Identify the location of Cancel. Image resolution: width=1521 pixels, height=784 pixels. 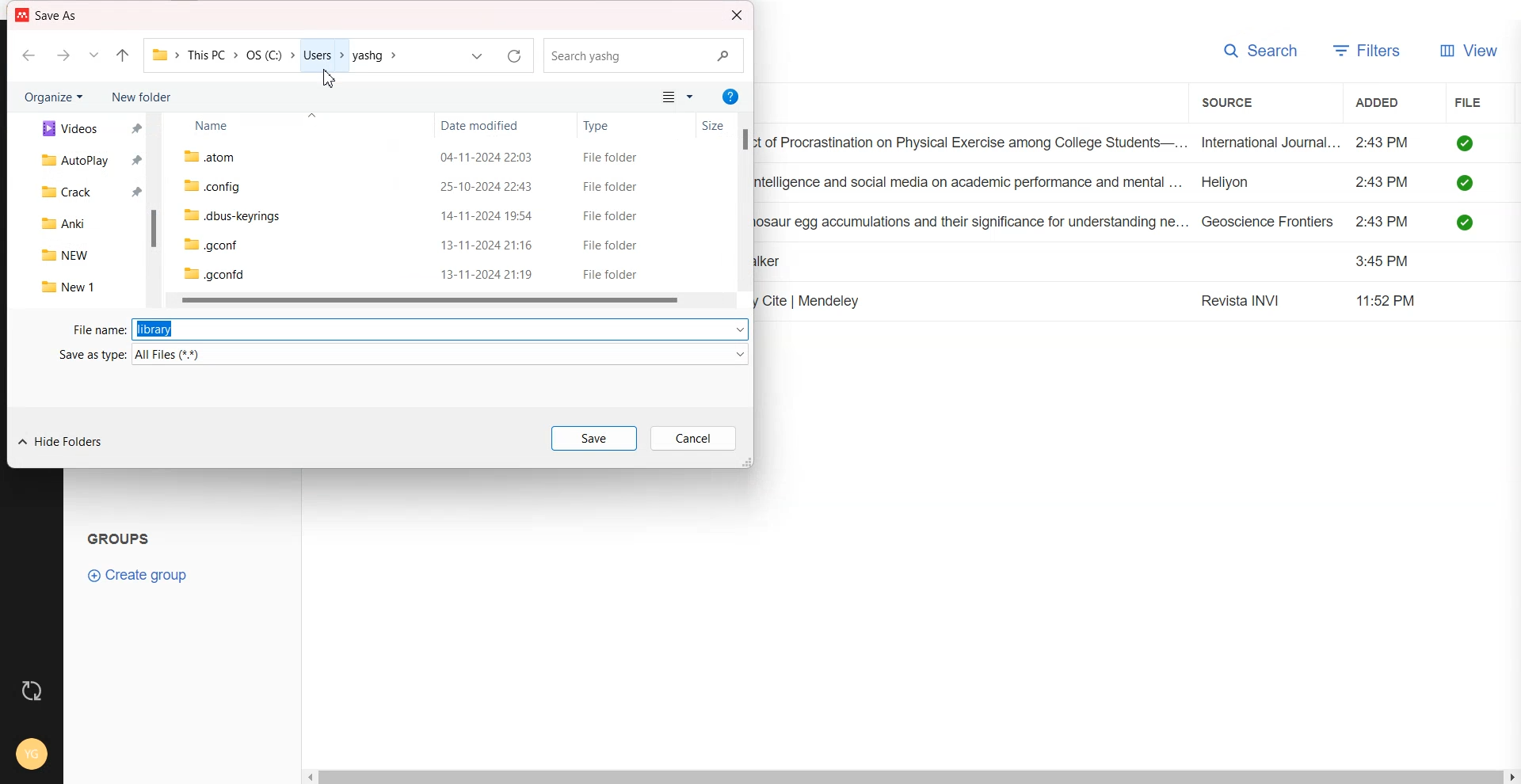
(694, 438).